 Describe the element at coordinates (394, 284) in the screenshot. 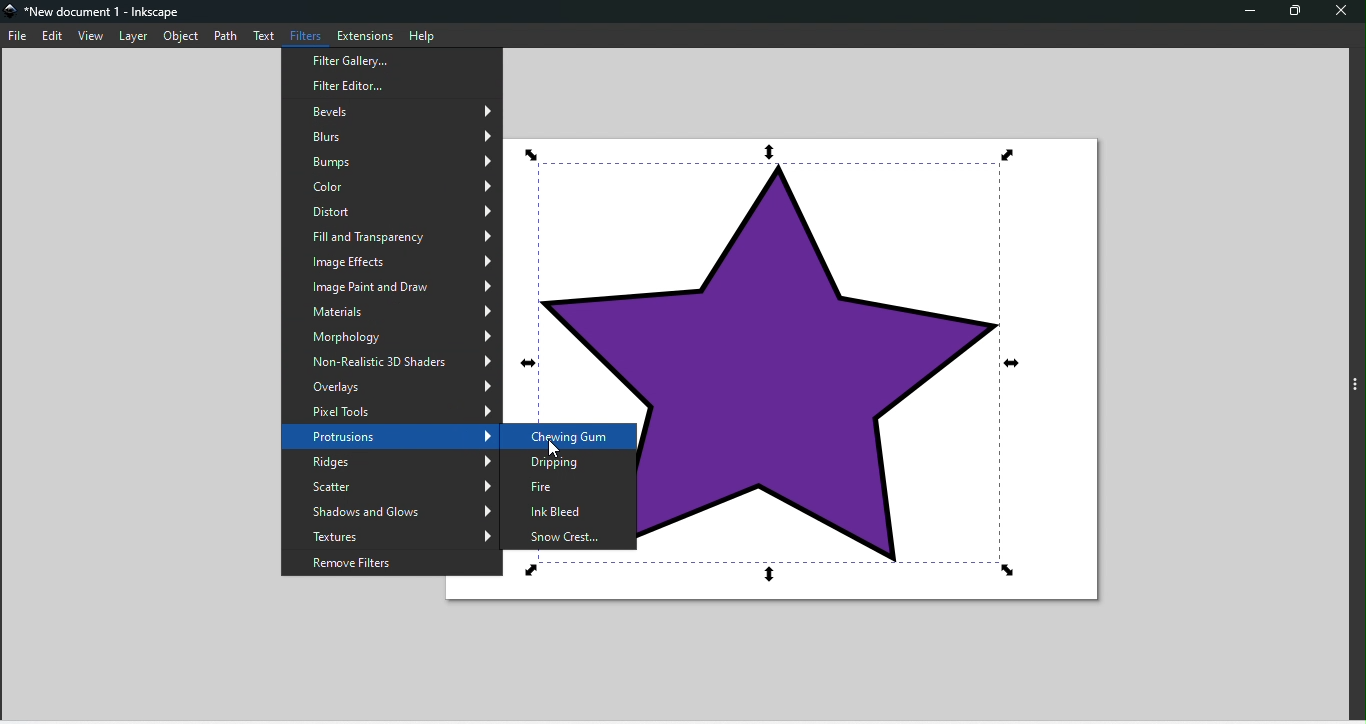

I see `Image paint and draw` at that location.